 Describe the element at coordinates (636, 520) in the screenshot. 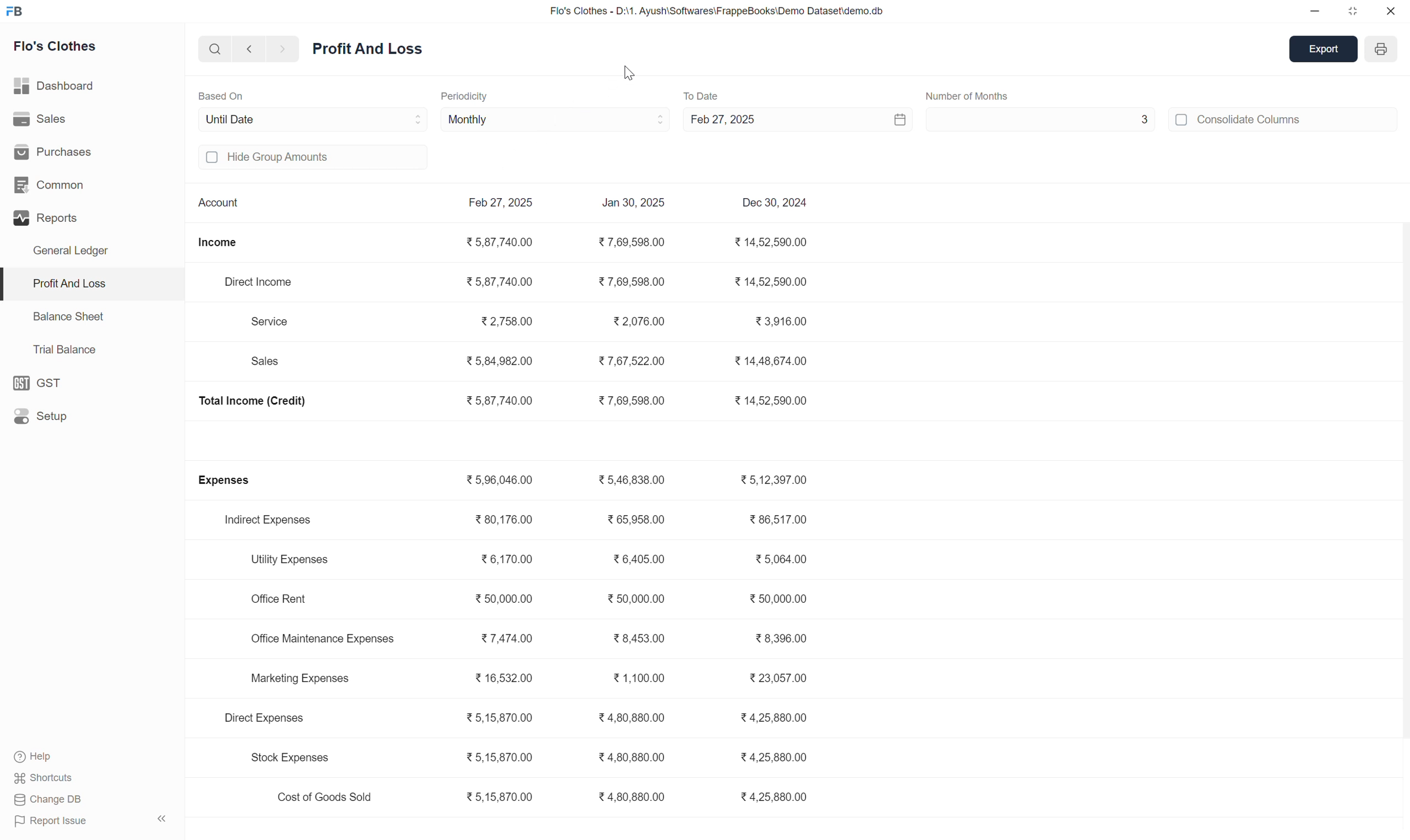

I see `₹65,958.00` at that location.